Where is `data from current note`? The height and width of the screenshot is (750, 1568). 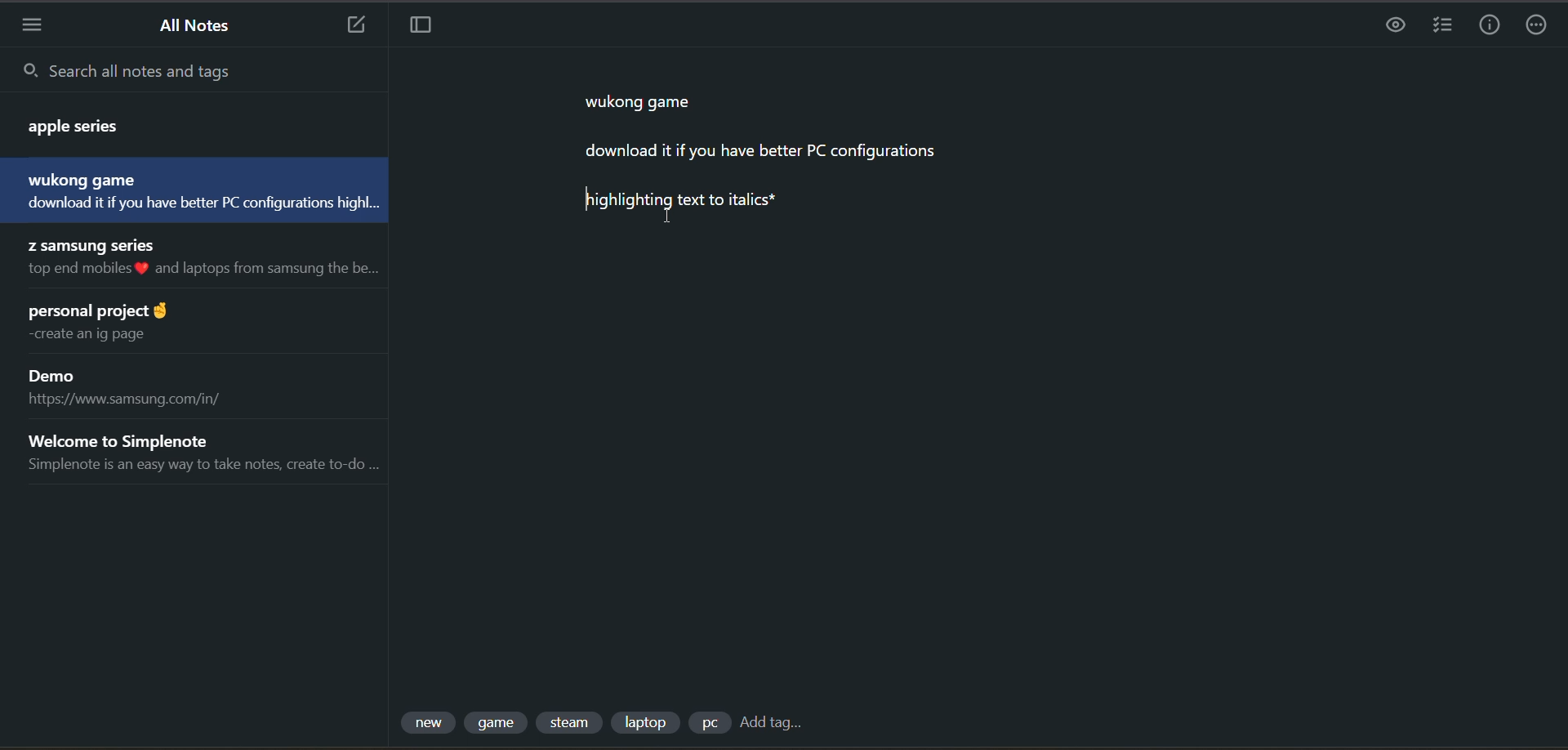
data from current note is located at coordinates (768, 161).